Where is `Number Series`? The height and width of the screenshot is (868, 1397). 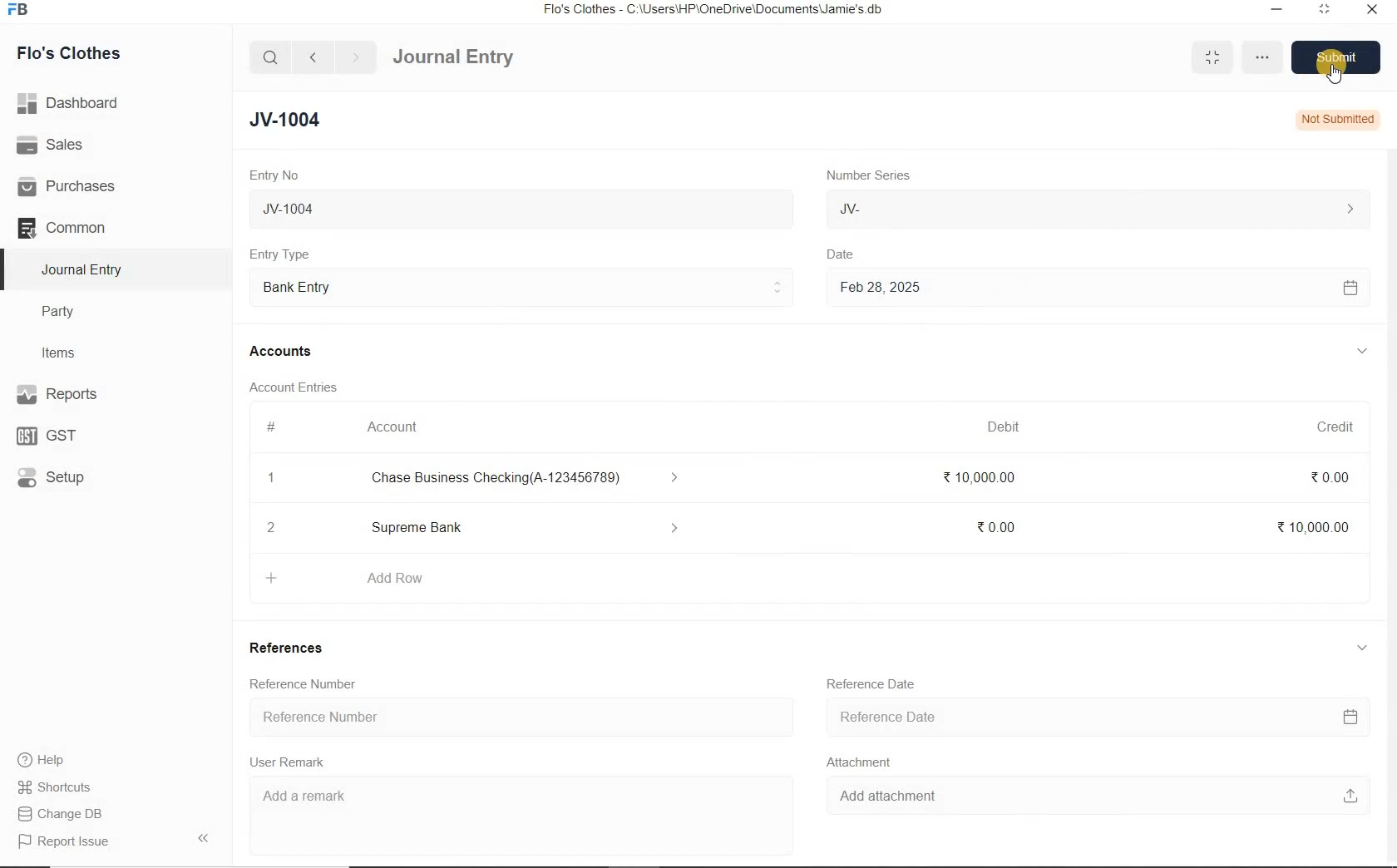 Number Series is located at coordinates (861, 175).